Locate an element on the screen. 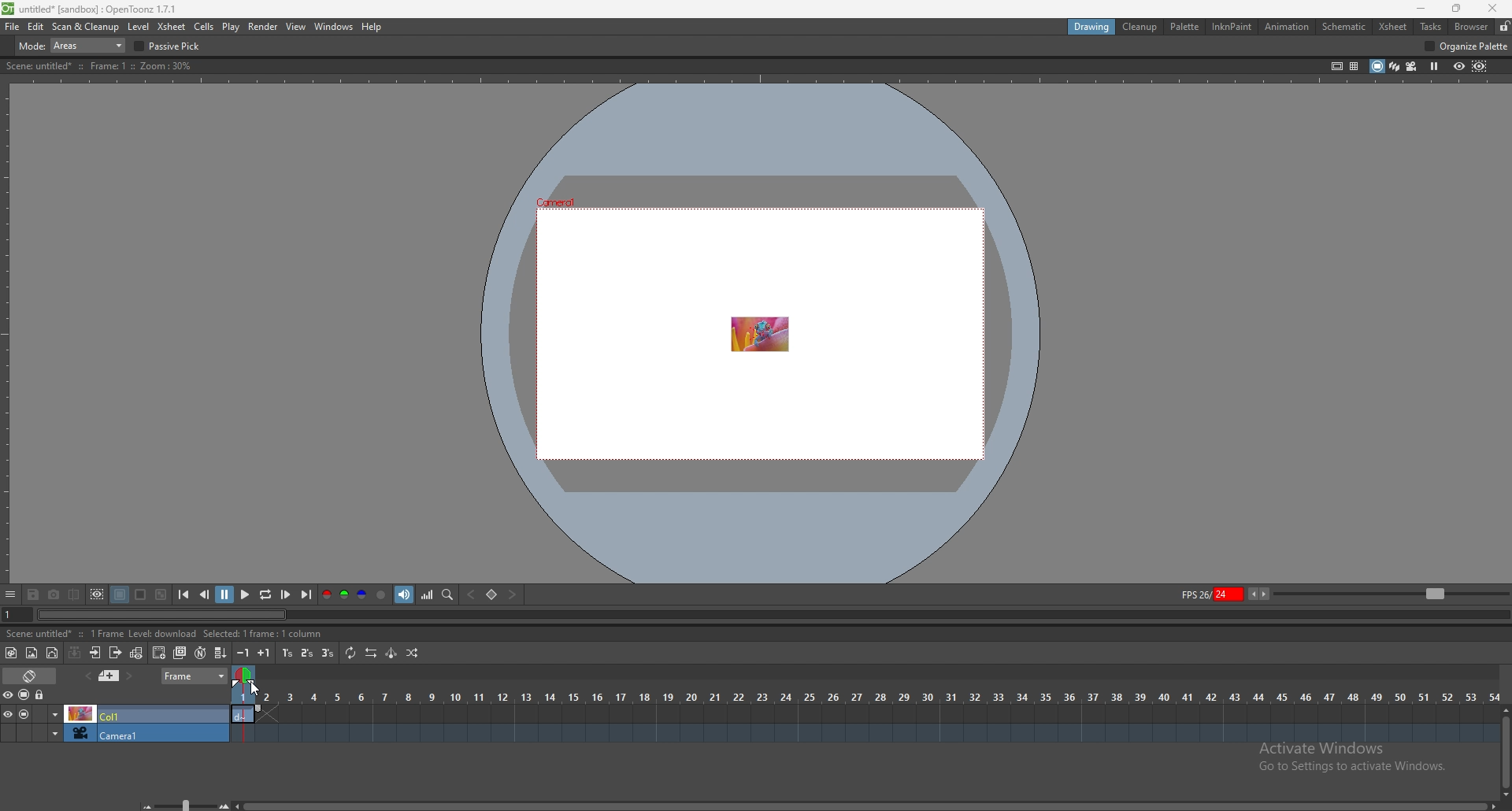  repeat is located at coordinates (352, 654).